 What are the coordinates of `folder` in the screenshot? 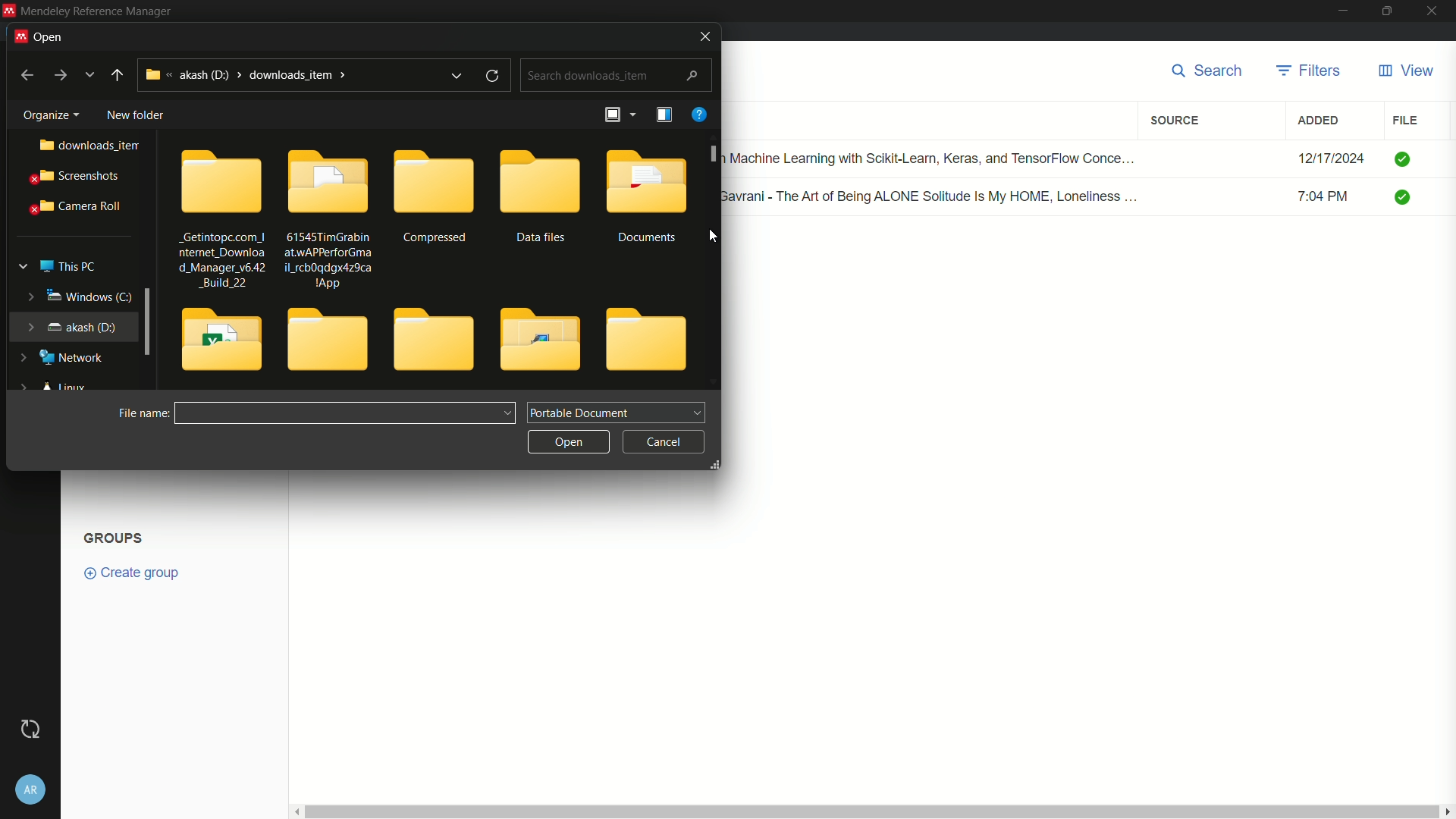 It's located at (325, 338).